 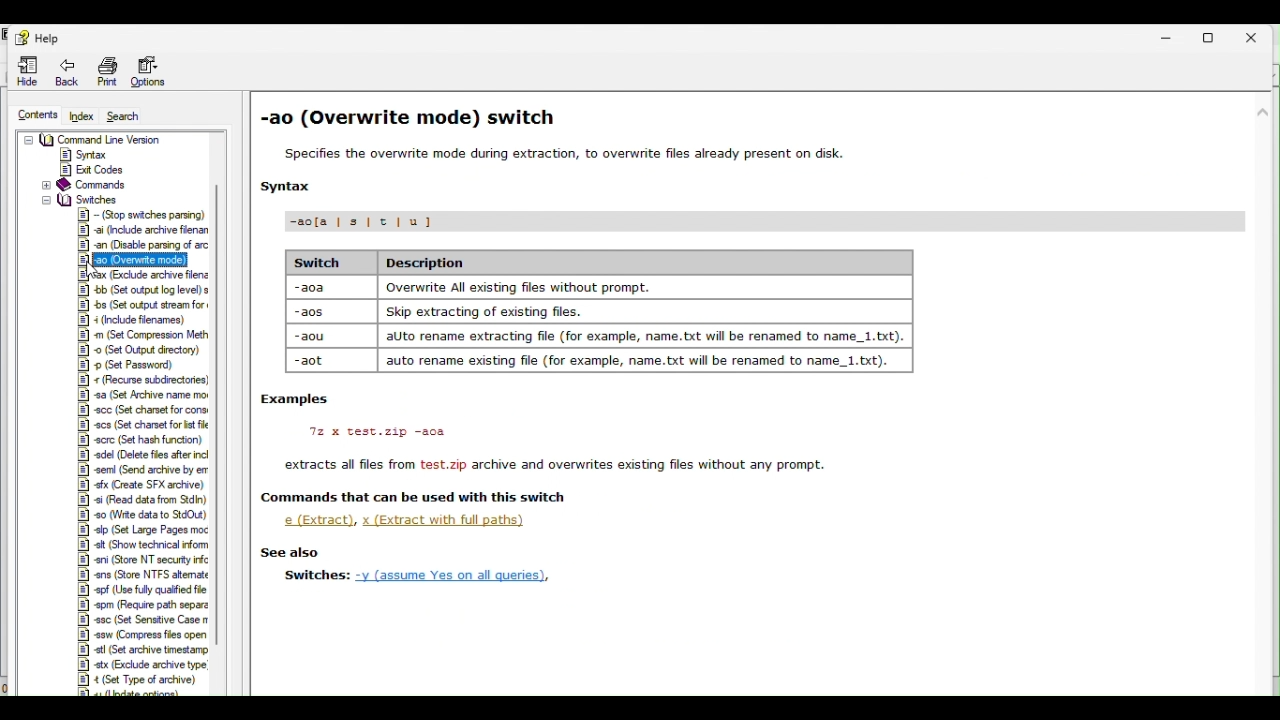 I want to click on 8] © (Set Password), so click(x=132, y=365).